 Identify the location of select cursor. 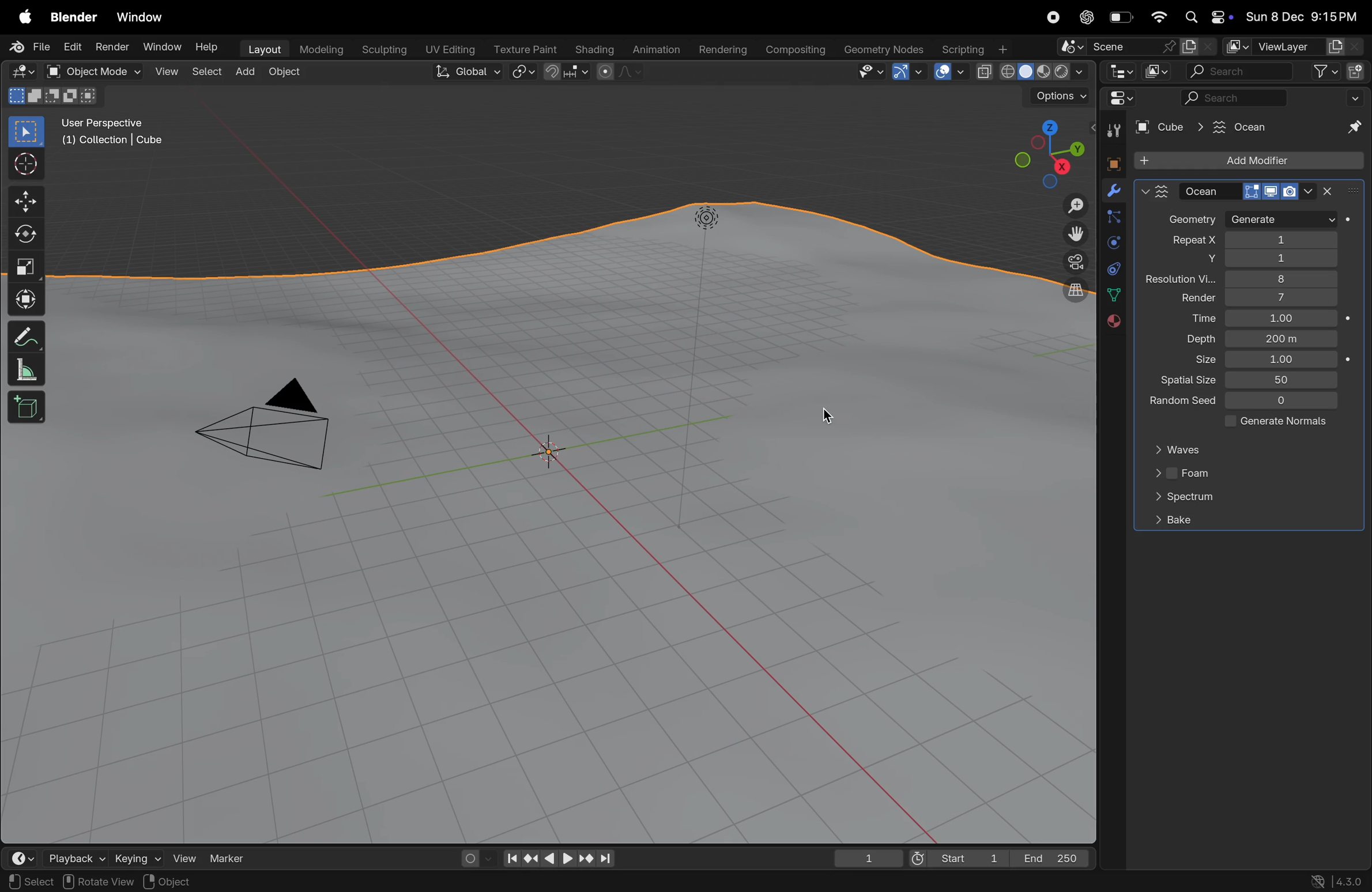
(26, 167).